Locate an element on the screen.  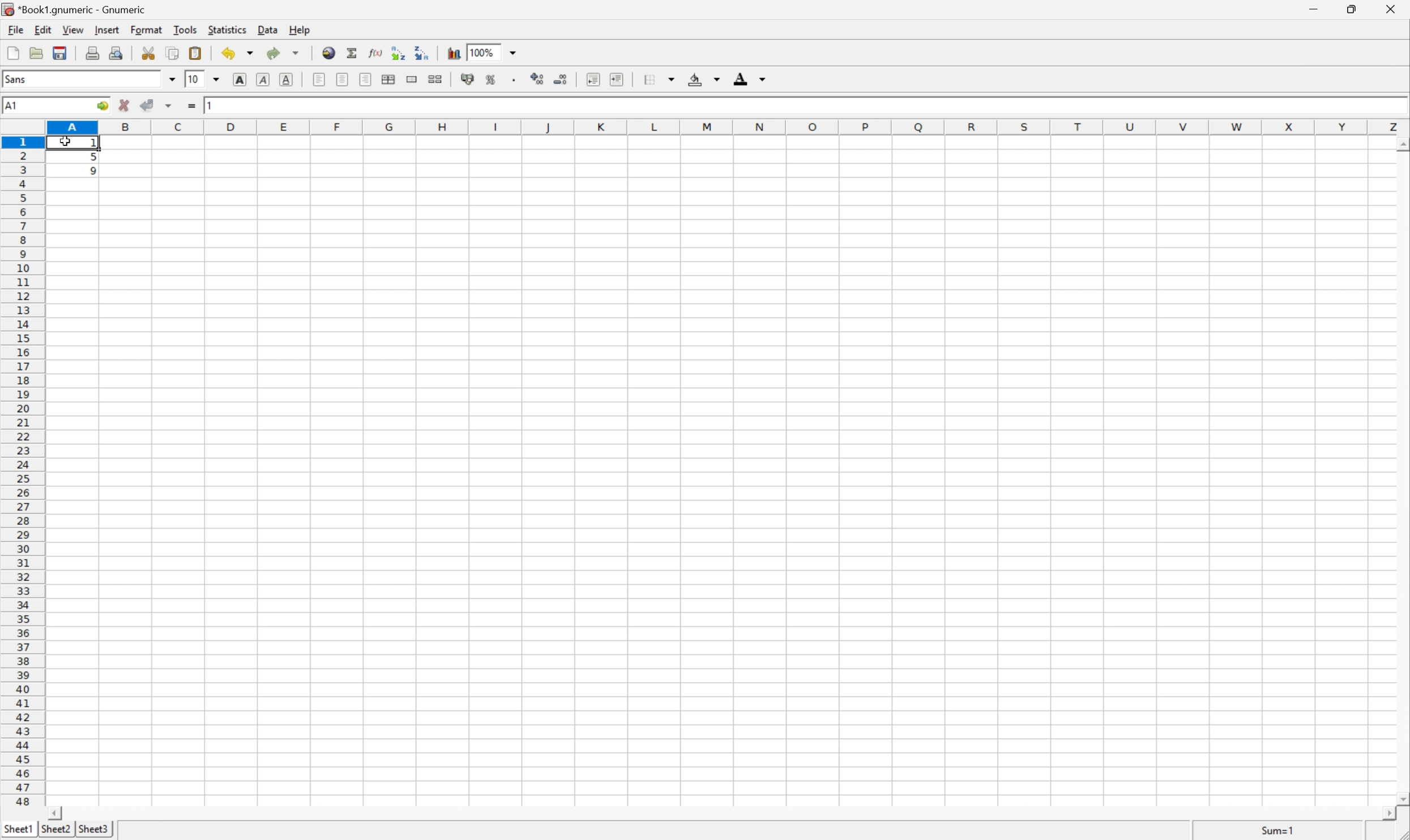
minimize is located at coordinates (1316, 7).